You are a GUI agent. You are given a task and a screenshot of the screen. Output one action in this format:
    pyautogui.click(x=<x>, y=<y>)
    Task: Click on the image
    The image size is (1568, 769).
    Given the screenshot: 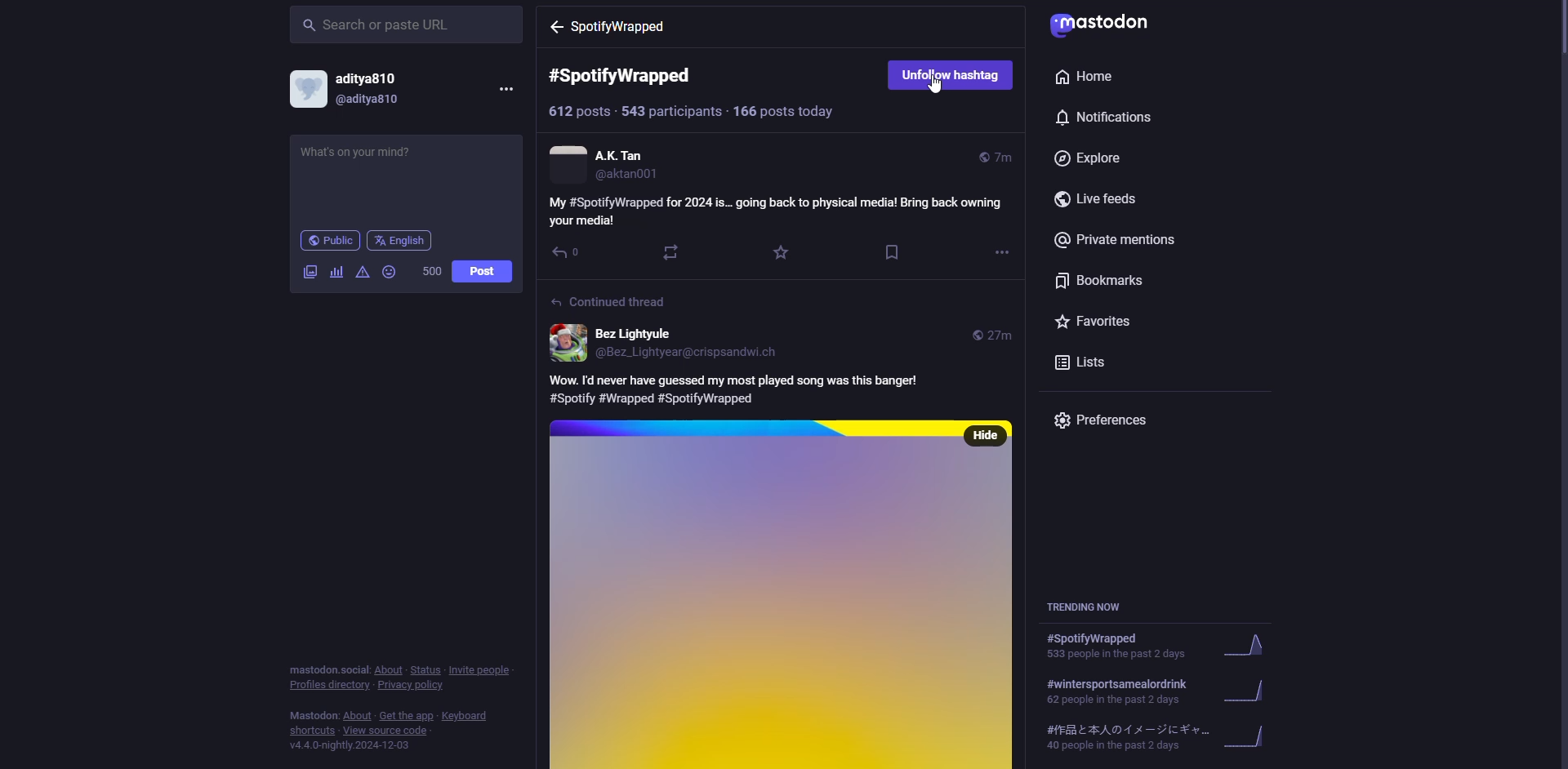 What is the action you would take?
    pyautogui.click(x=311, y=273)
    